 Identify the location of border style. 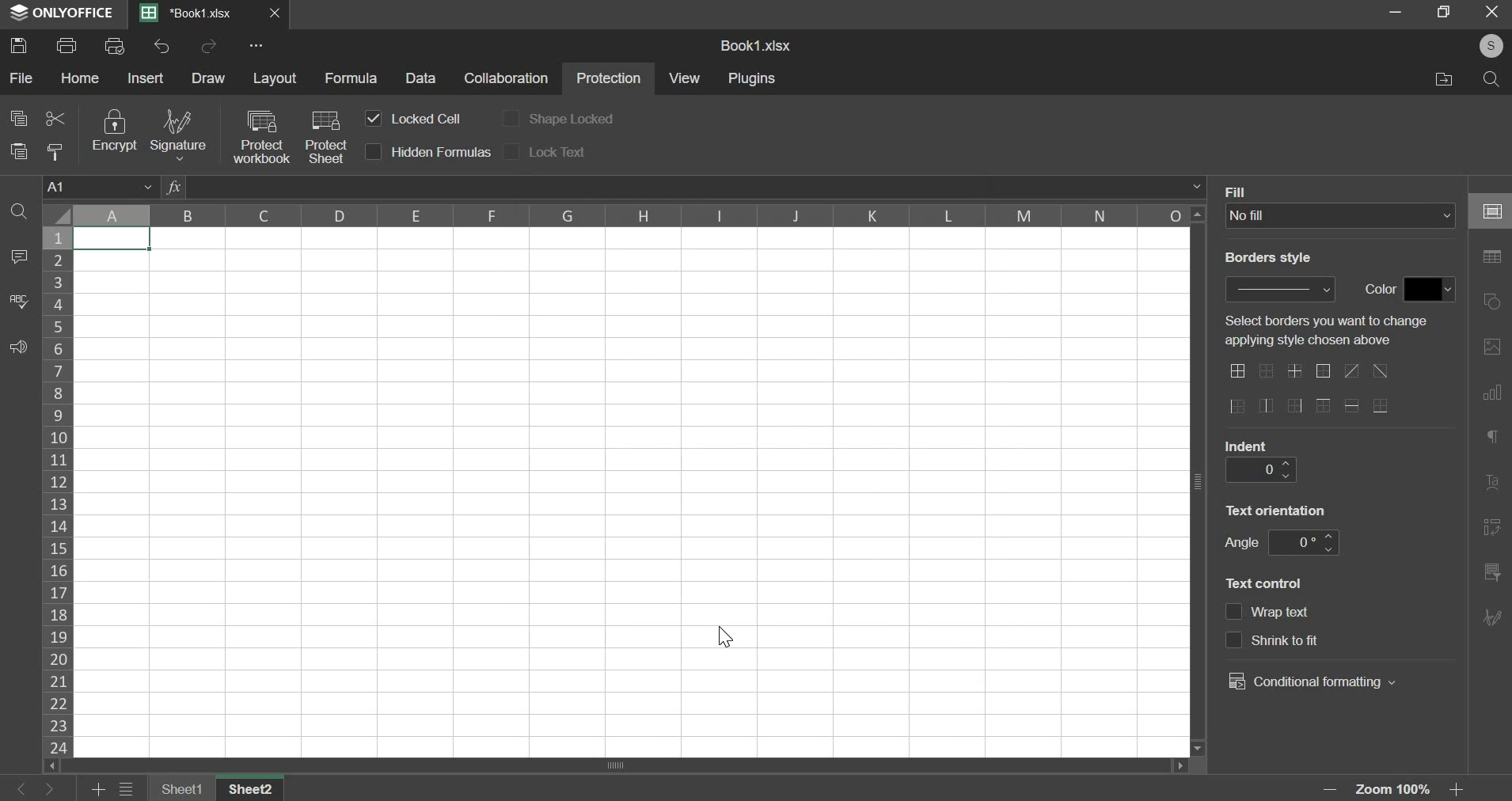
(1282, 288).